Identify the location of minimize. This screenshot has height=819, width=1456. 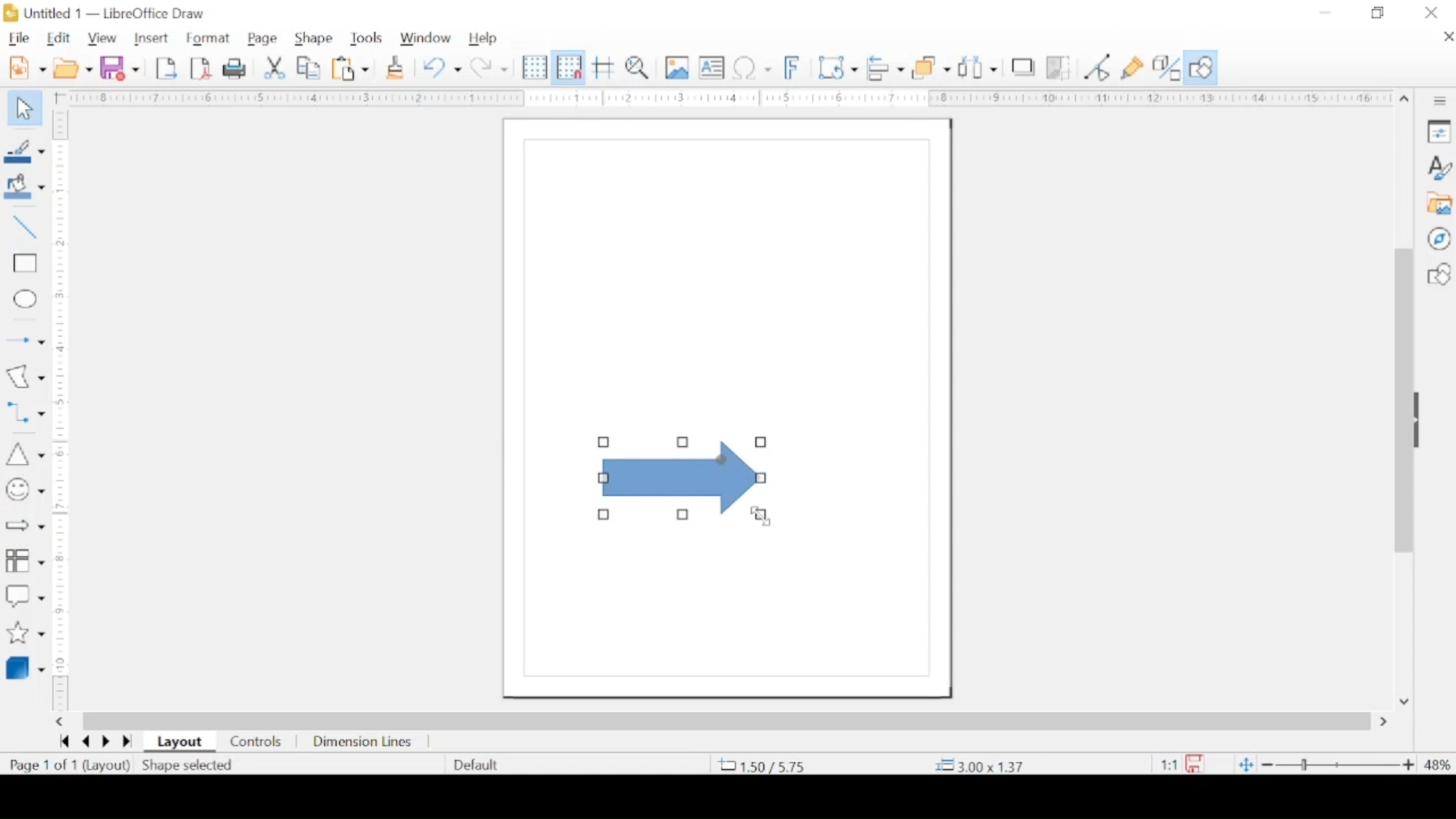
(1326, 13).